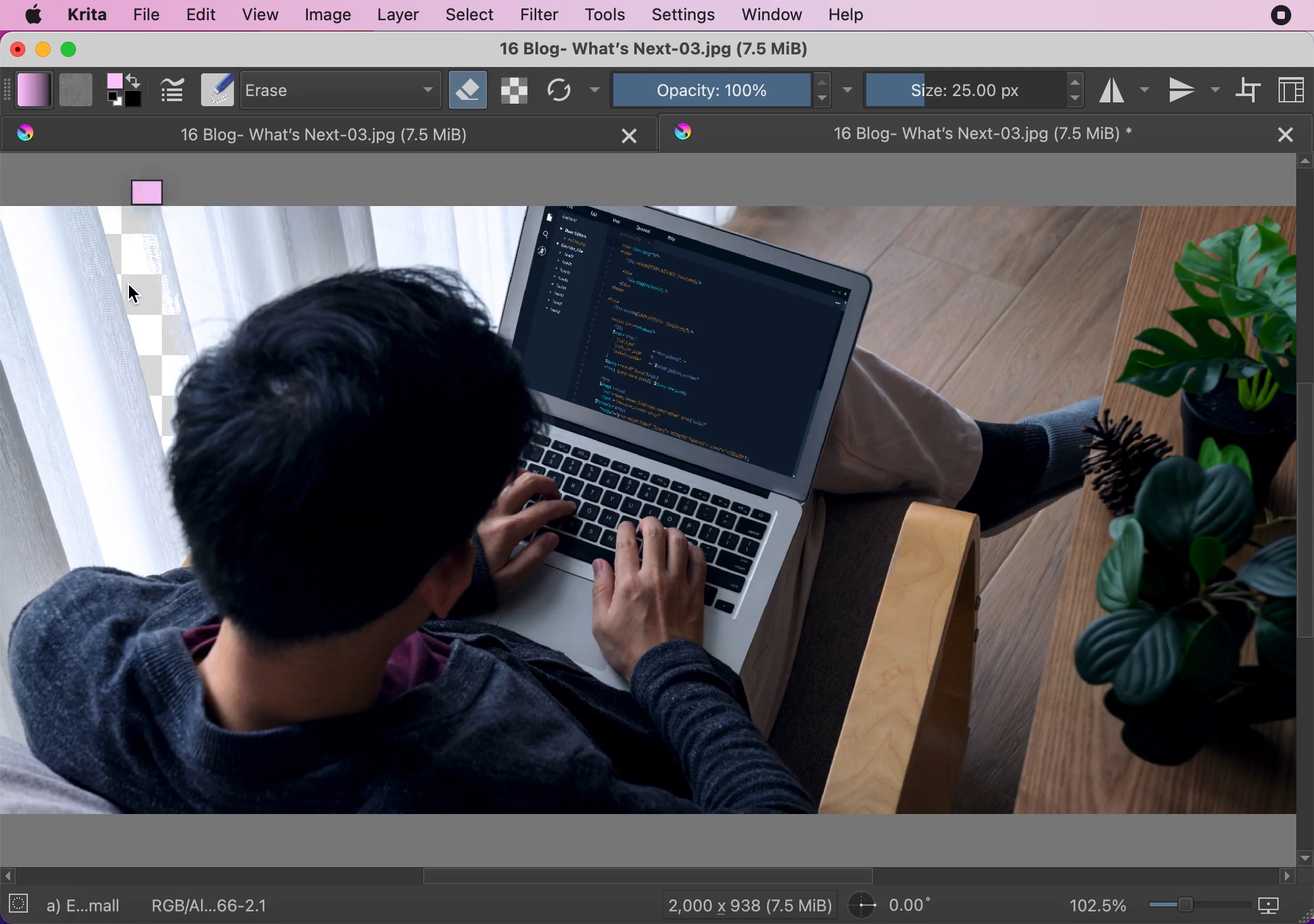 The width and height of the screenshot is (1314, 924). I want to click on a) E...mall, so click(89, 908).